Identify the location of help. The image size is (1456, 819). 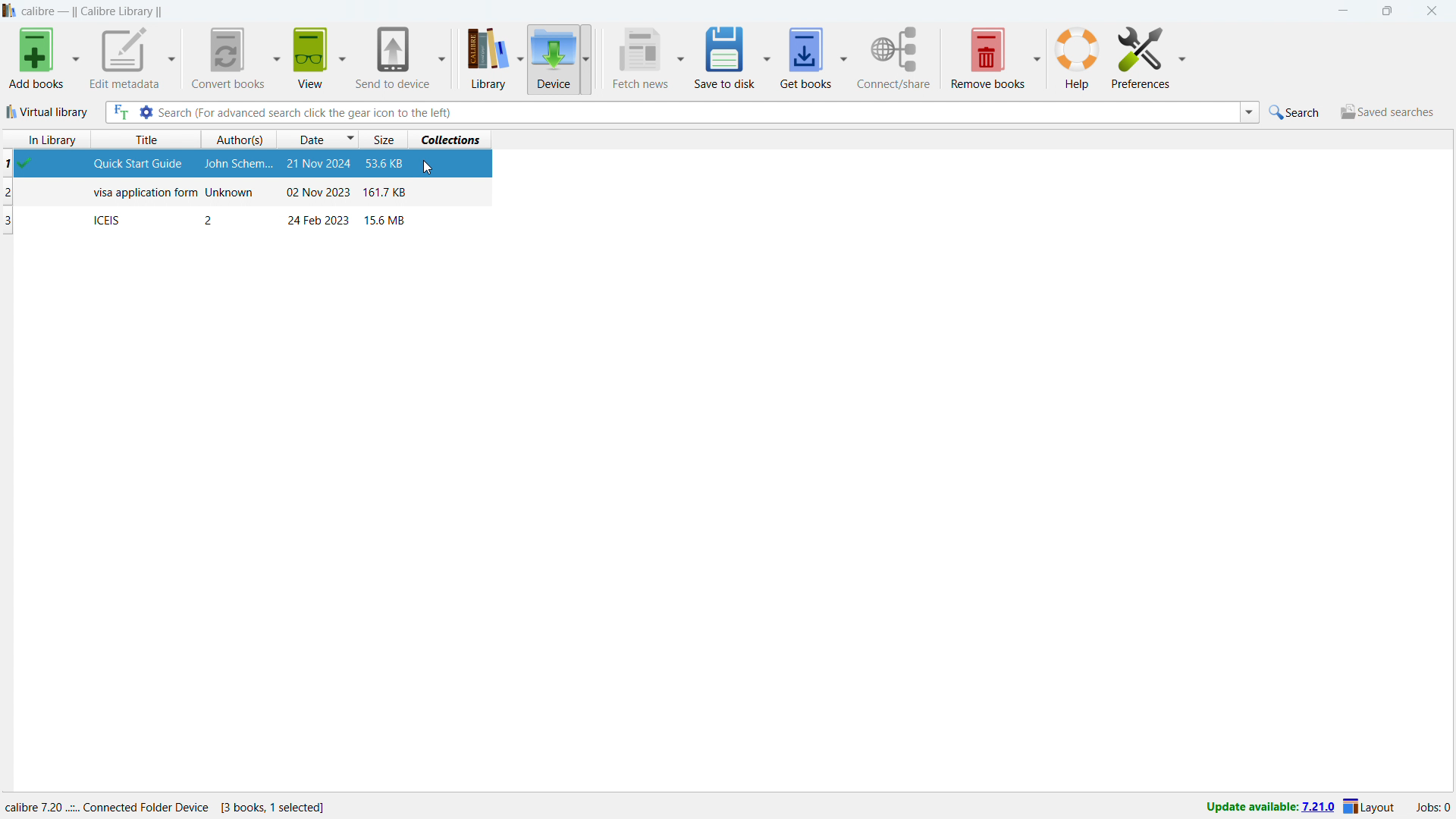
(1077, 57).